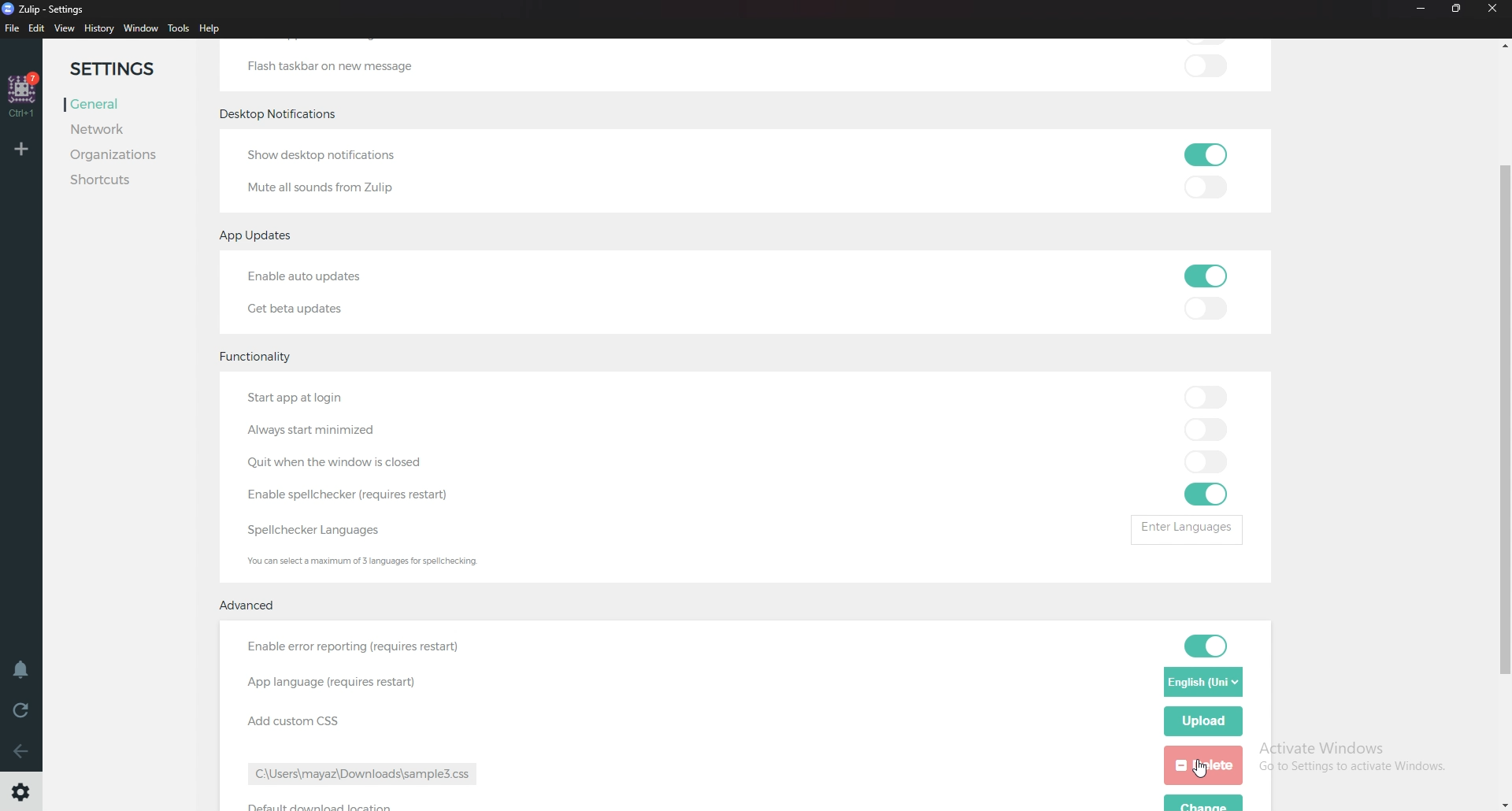 This screenshot has width=1512, height=811. Describe the element at coordinates (1203, 683) in the screenshot. I see `Language` at that location.